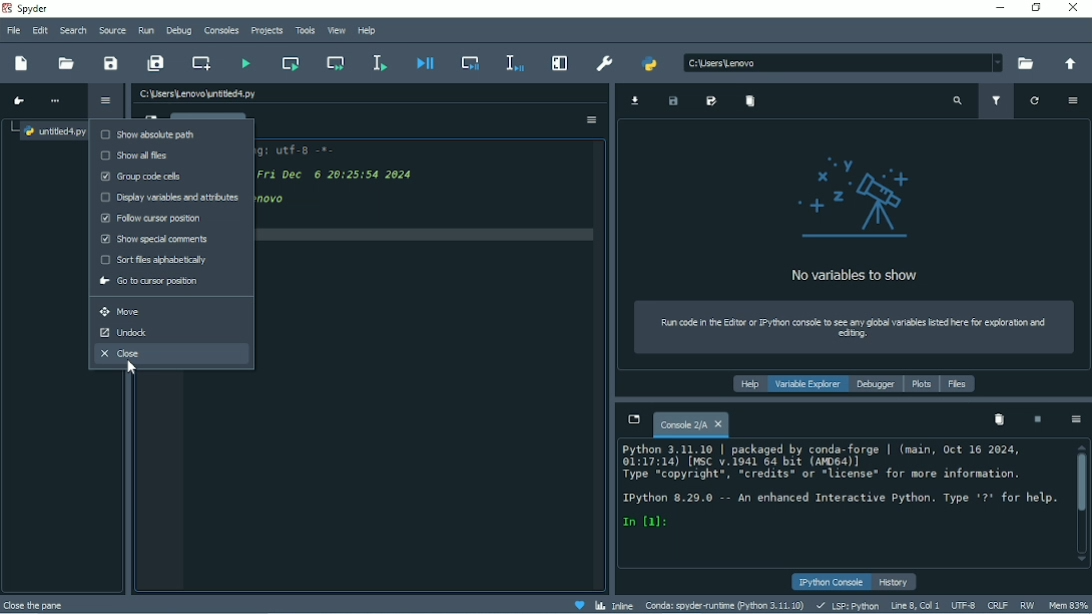 This screenshot has width=1092, height=614. Describe the element at coordinates (425, 64) in the screenshot. I see `Debug file` at that location.